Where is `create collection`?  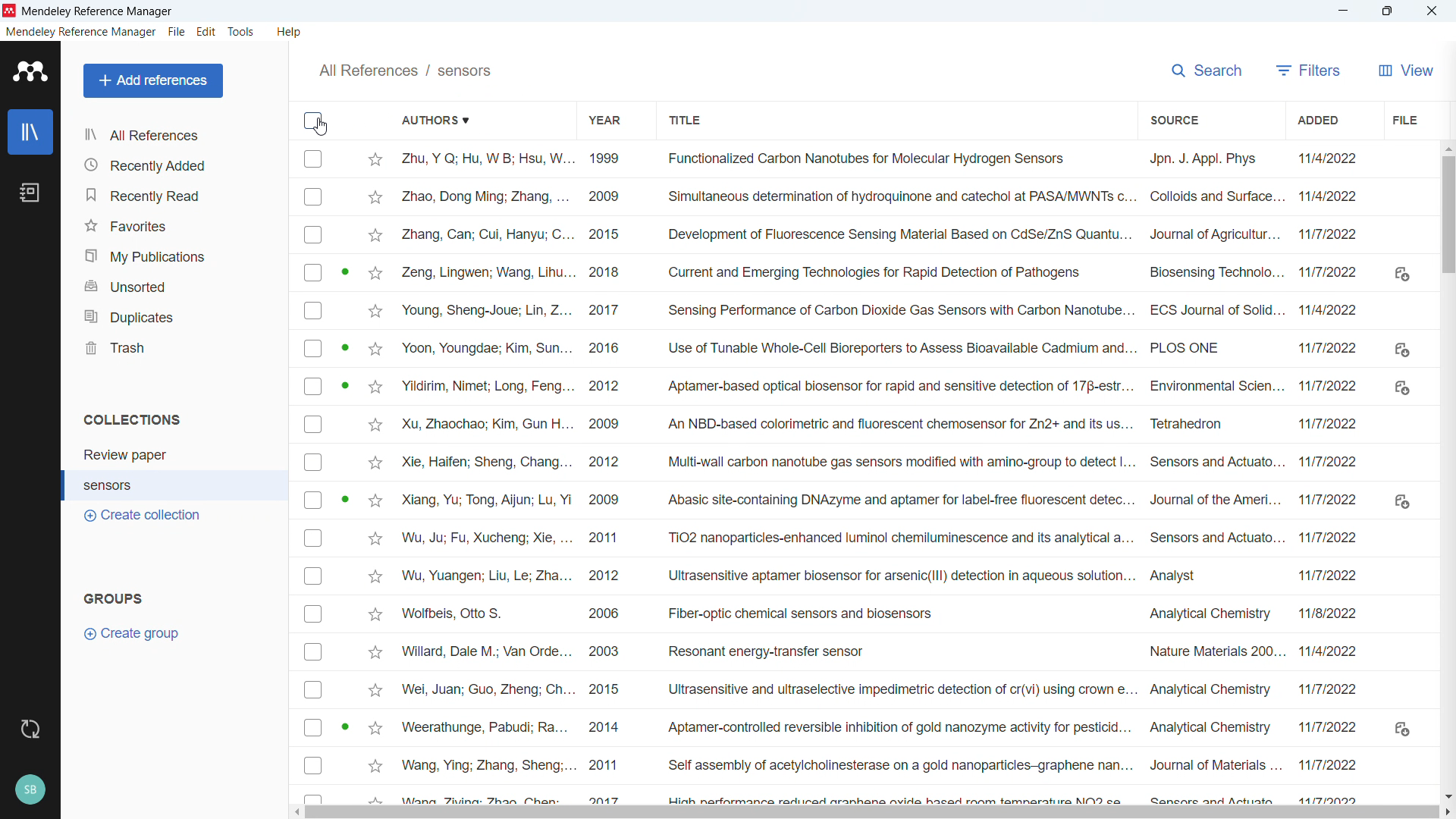
create collection is located at coordinates (146, 516).